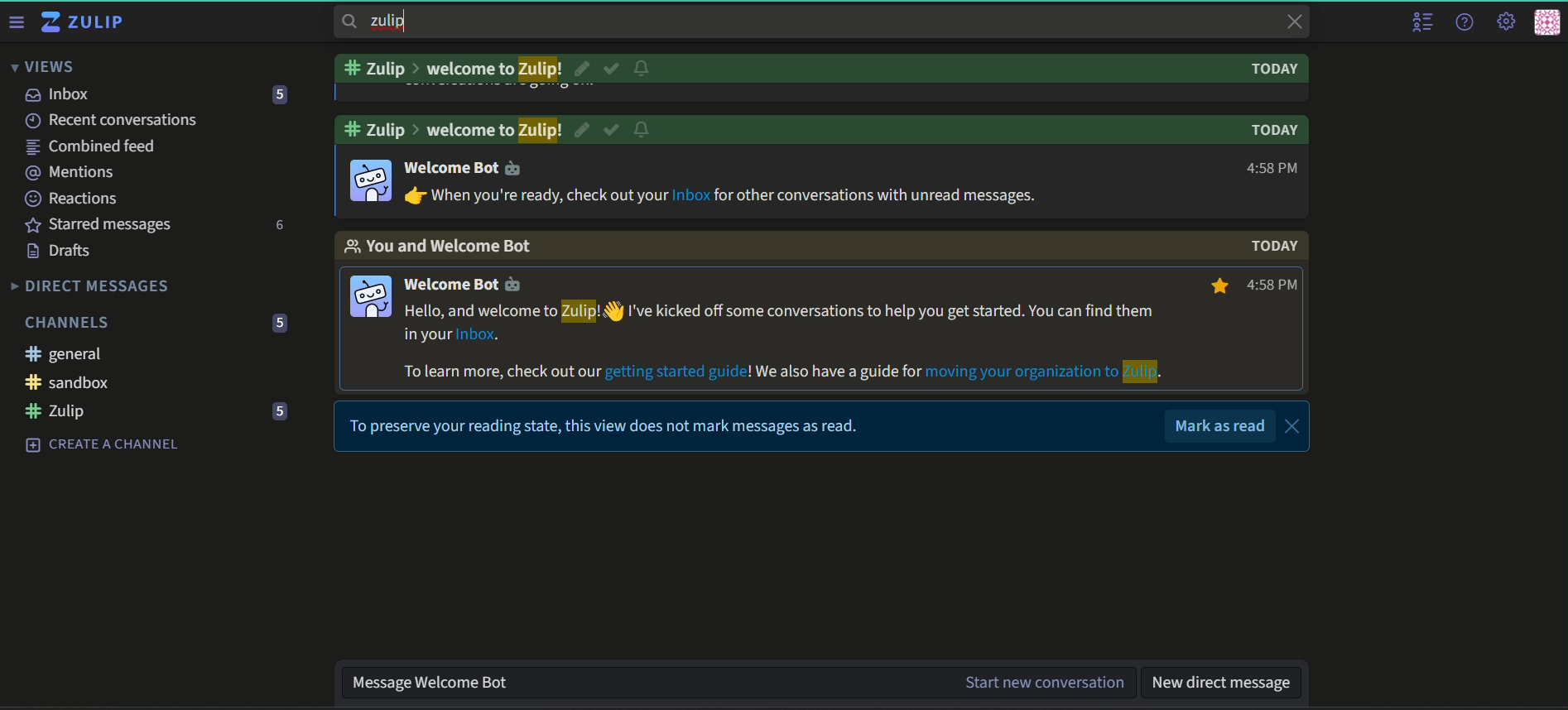 The height and width of the screenshot is (710, 1568). I want to click on personal menu, so click(1548, 21).